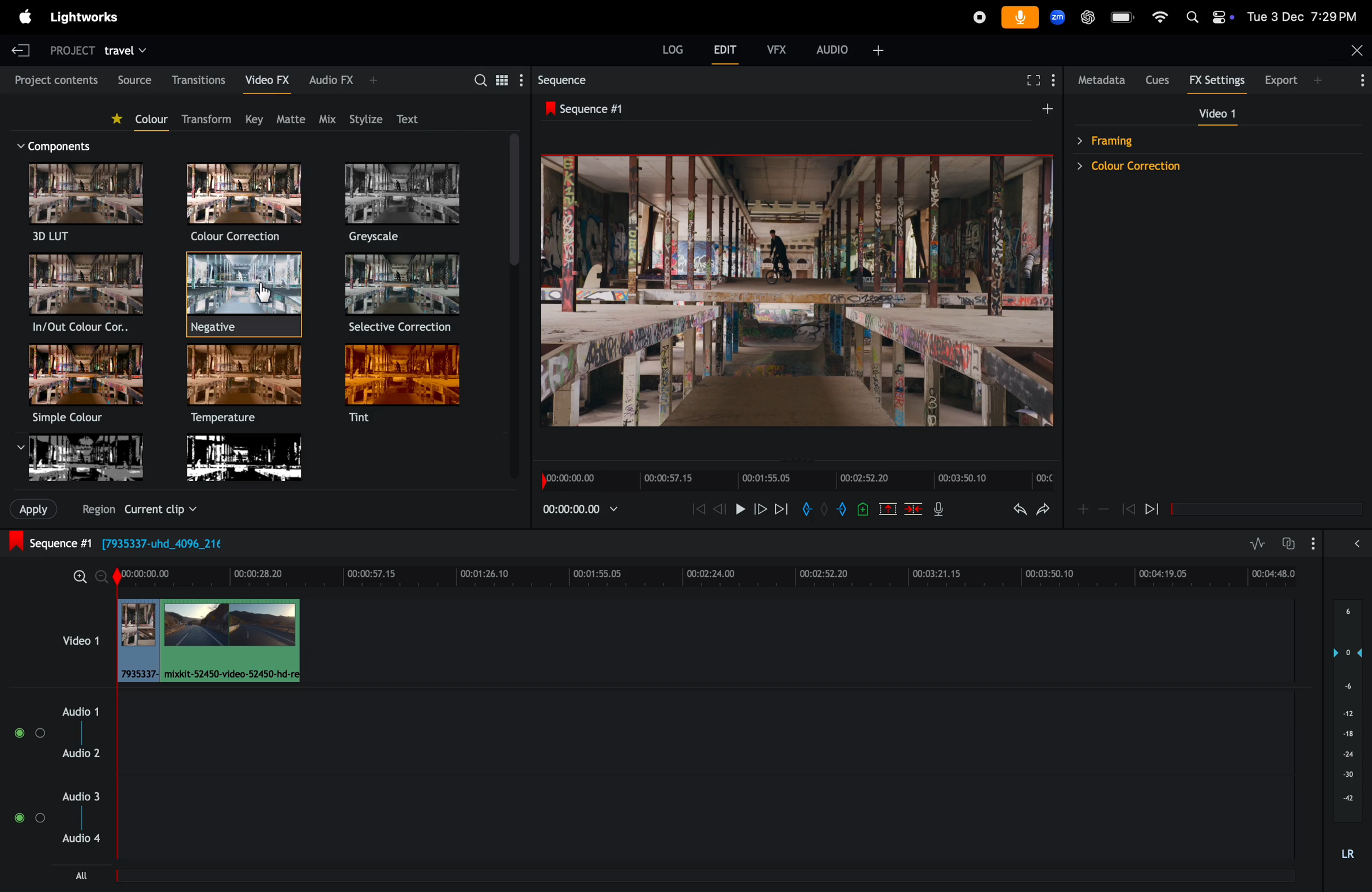 The width and height of the screenshot is (1372, 892). I want to click on chatgpt, so click(1088, 18).